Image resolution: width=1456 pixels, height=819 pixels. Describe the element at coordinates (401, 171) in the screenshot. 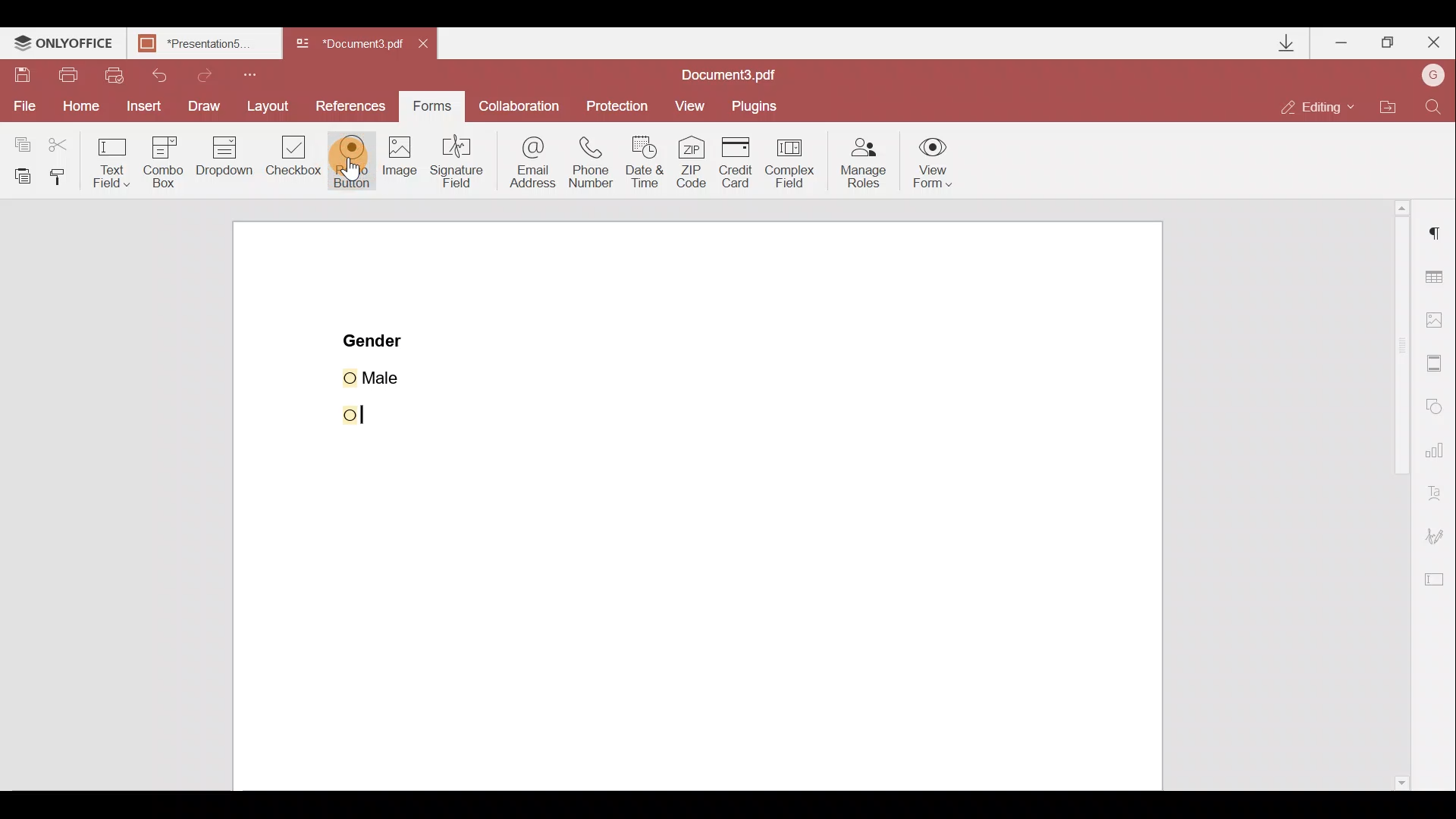

I see `Image` at that location.